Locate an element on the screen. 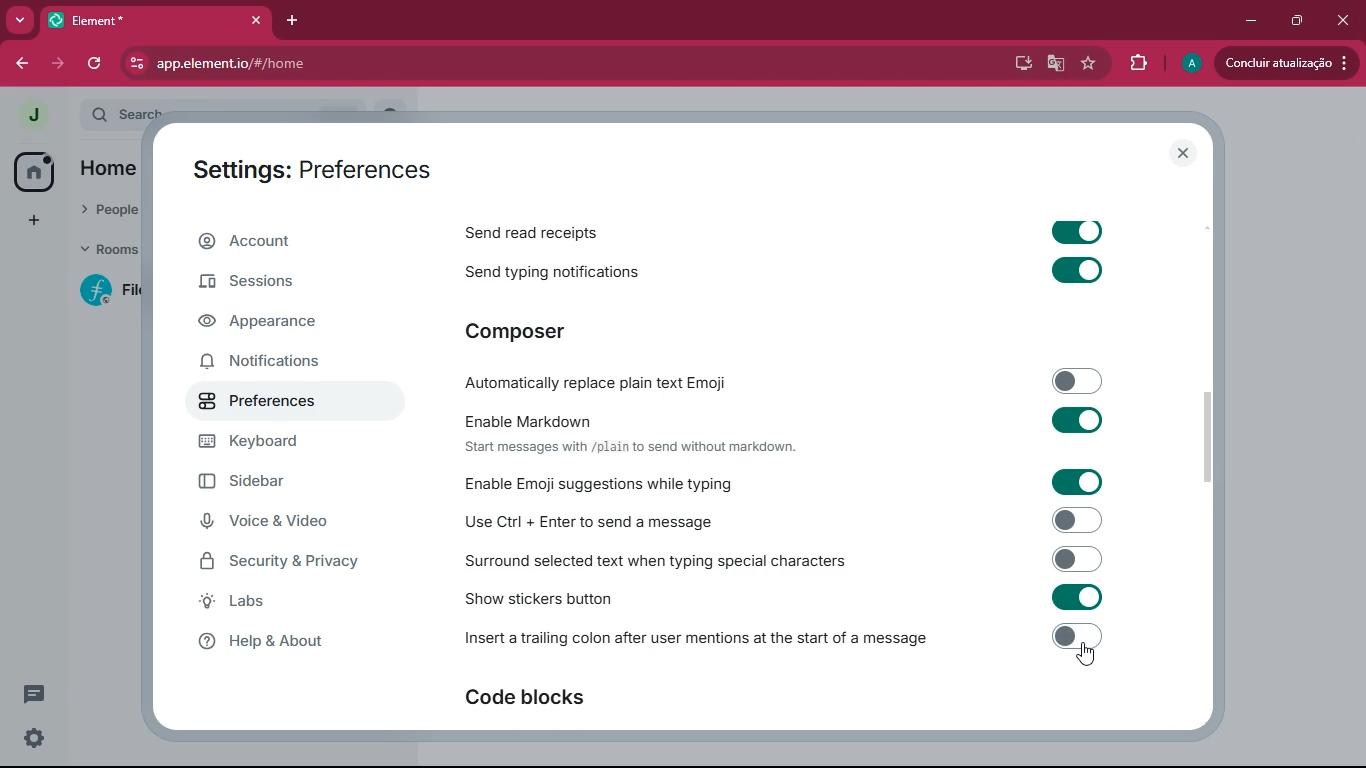 This screenshot has height=768, width=1366. Enable Emoji suggestions while typing is located at coordinates (789, 482).